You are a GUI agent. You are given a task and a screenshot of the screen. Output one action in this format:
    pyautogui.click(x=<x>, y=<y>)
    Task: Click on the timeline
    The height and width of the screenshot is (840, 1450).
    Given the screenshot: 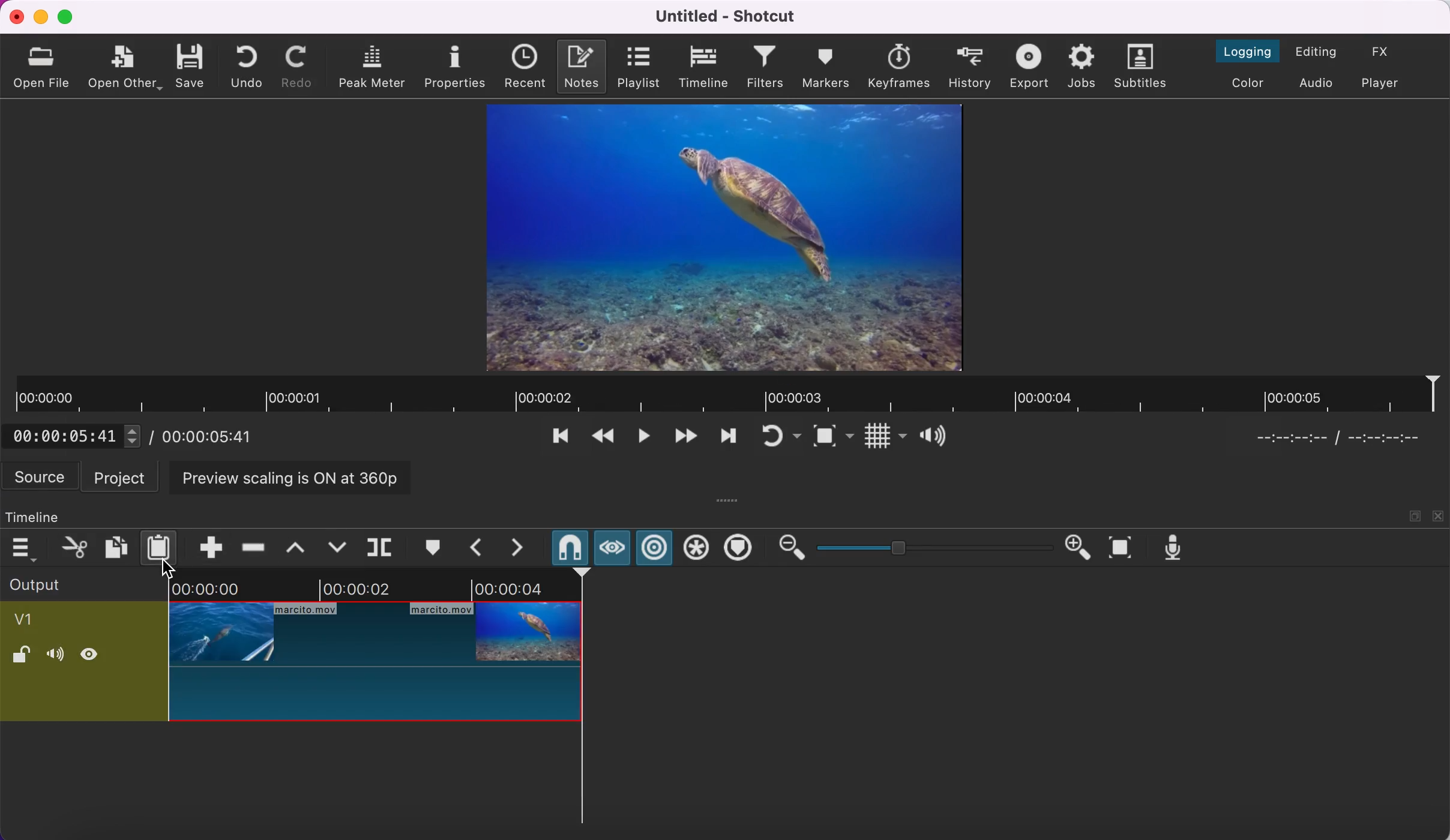 What is the action you would take?
    pyautogui.click(x=703, y=67)
    